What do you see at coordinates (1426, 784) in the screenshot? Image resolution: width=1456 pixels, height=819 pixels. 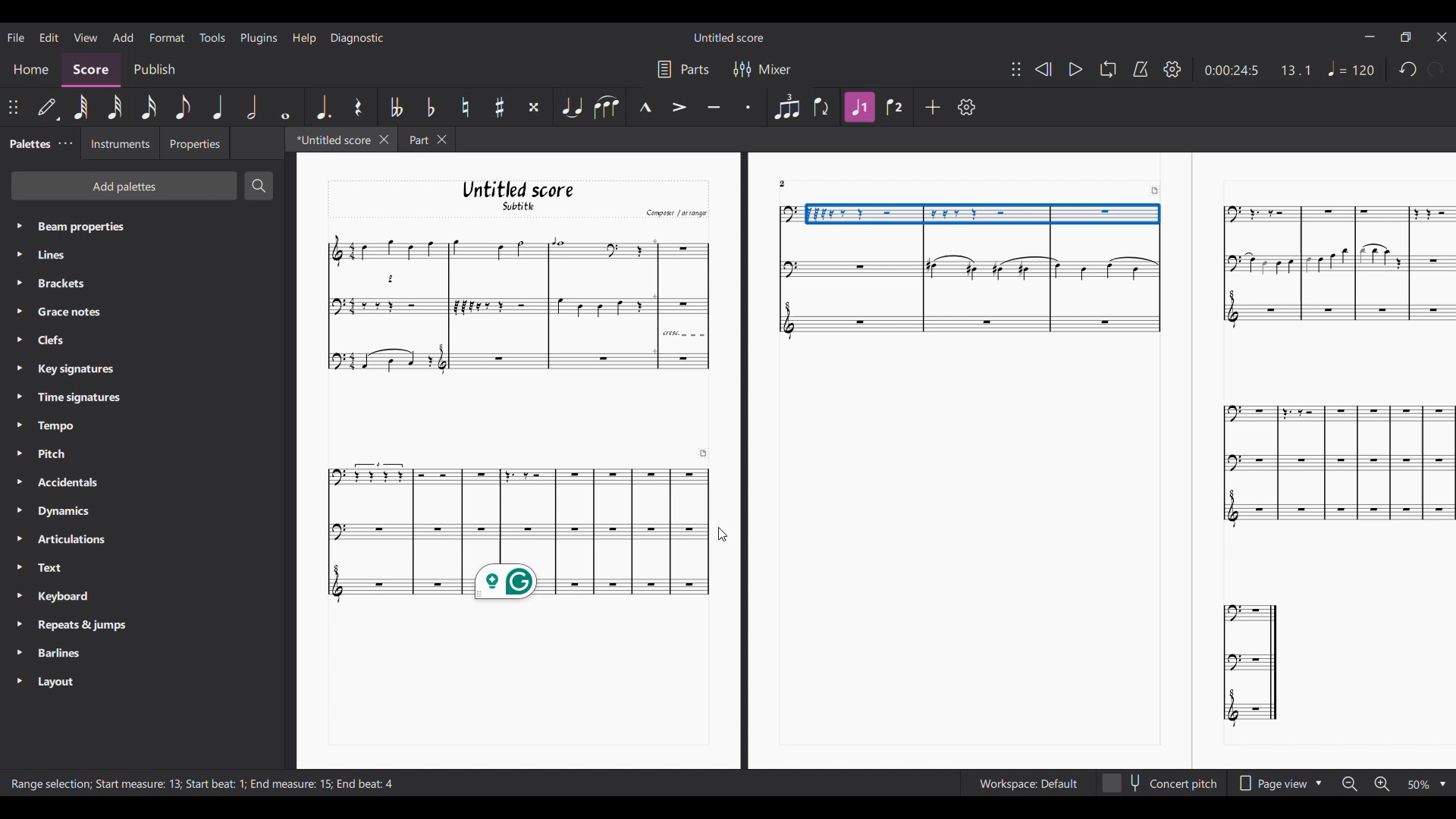 I see `50 %` at bounding box center [1426, 784].